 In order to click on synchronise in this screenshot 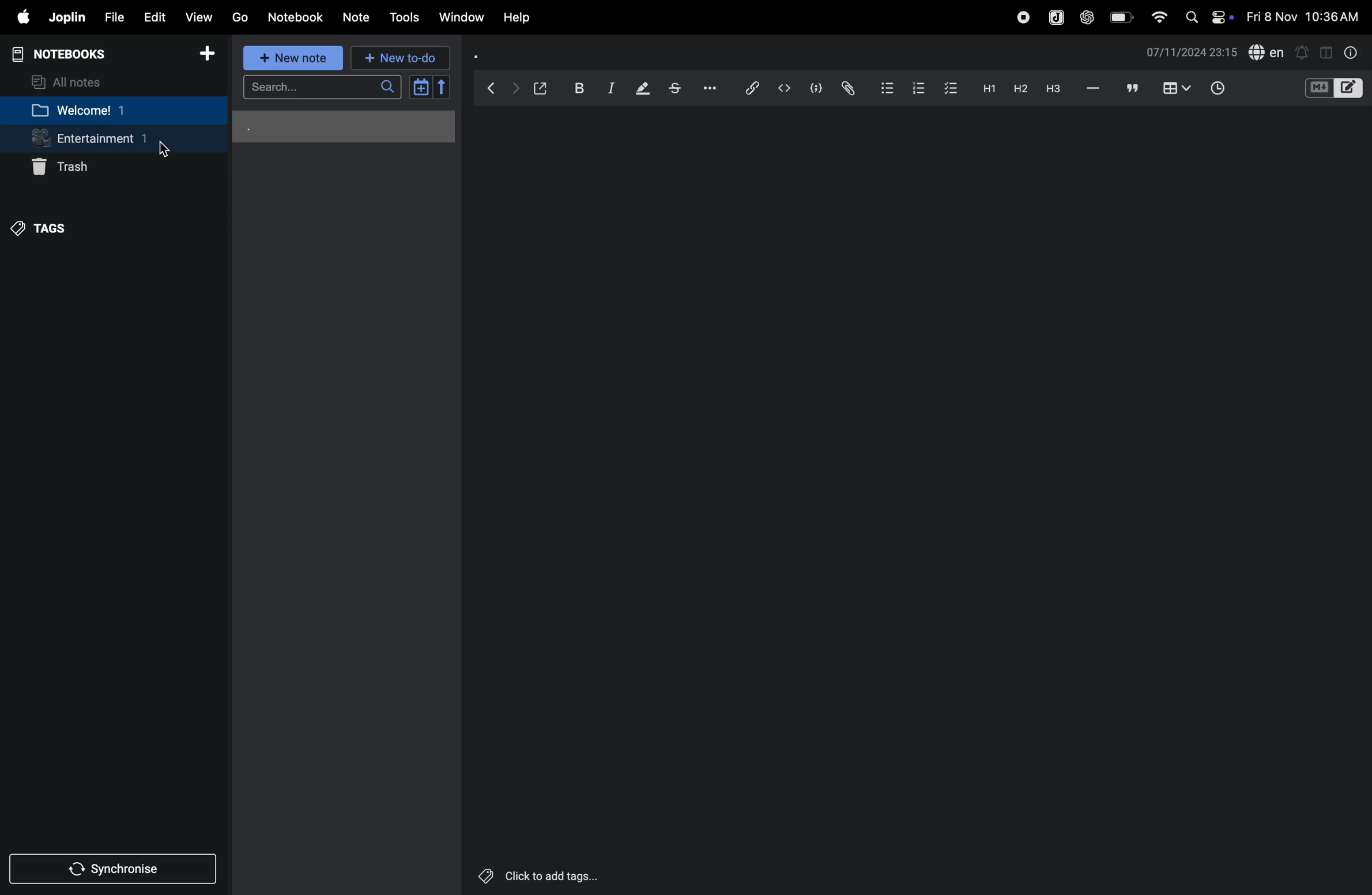, I will do `click(116, 870)`.